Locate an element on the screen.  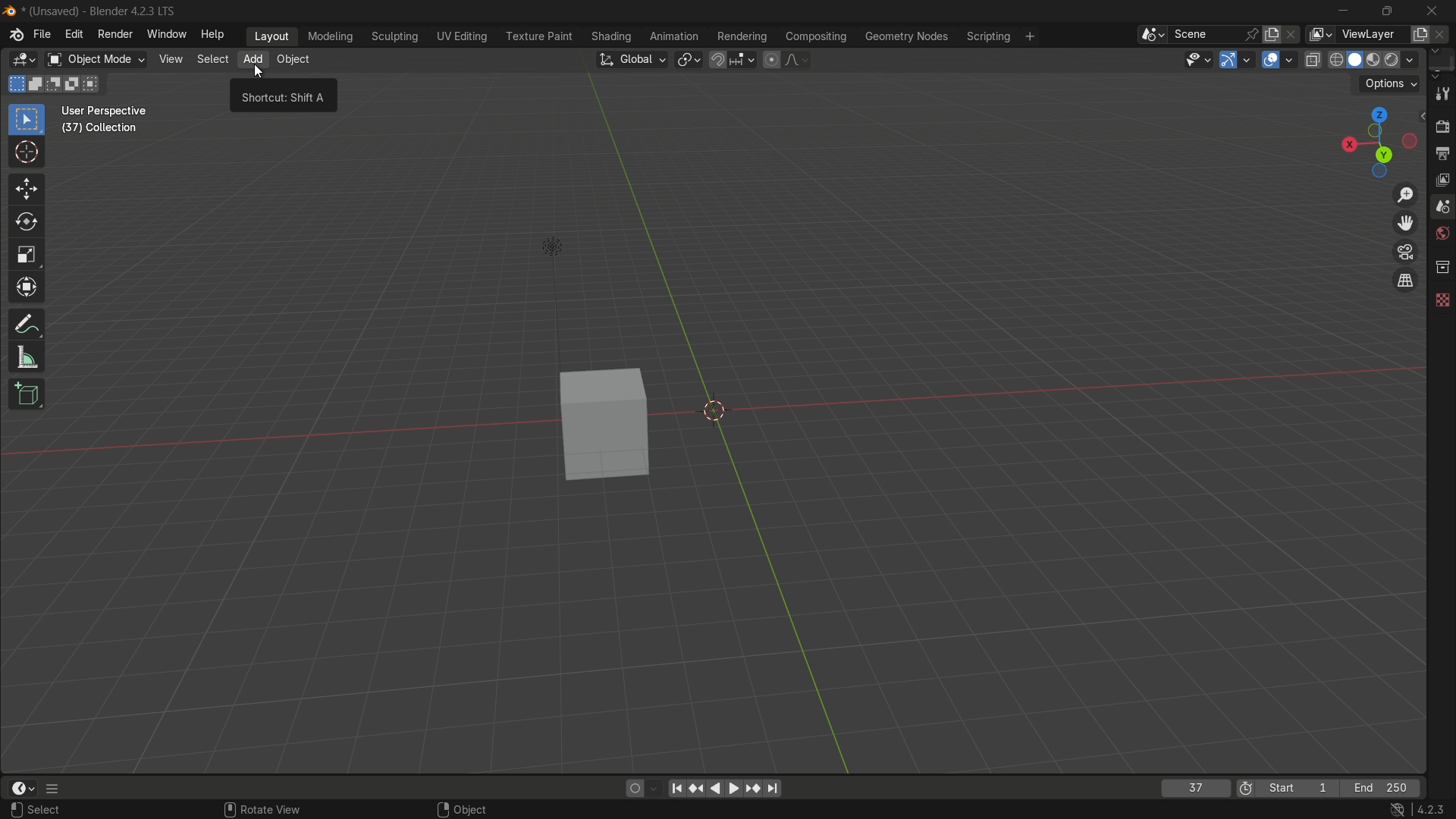
view is located at coordinates (169, 60).